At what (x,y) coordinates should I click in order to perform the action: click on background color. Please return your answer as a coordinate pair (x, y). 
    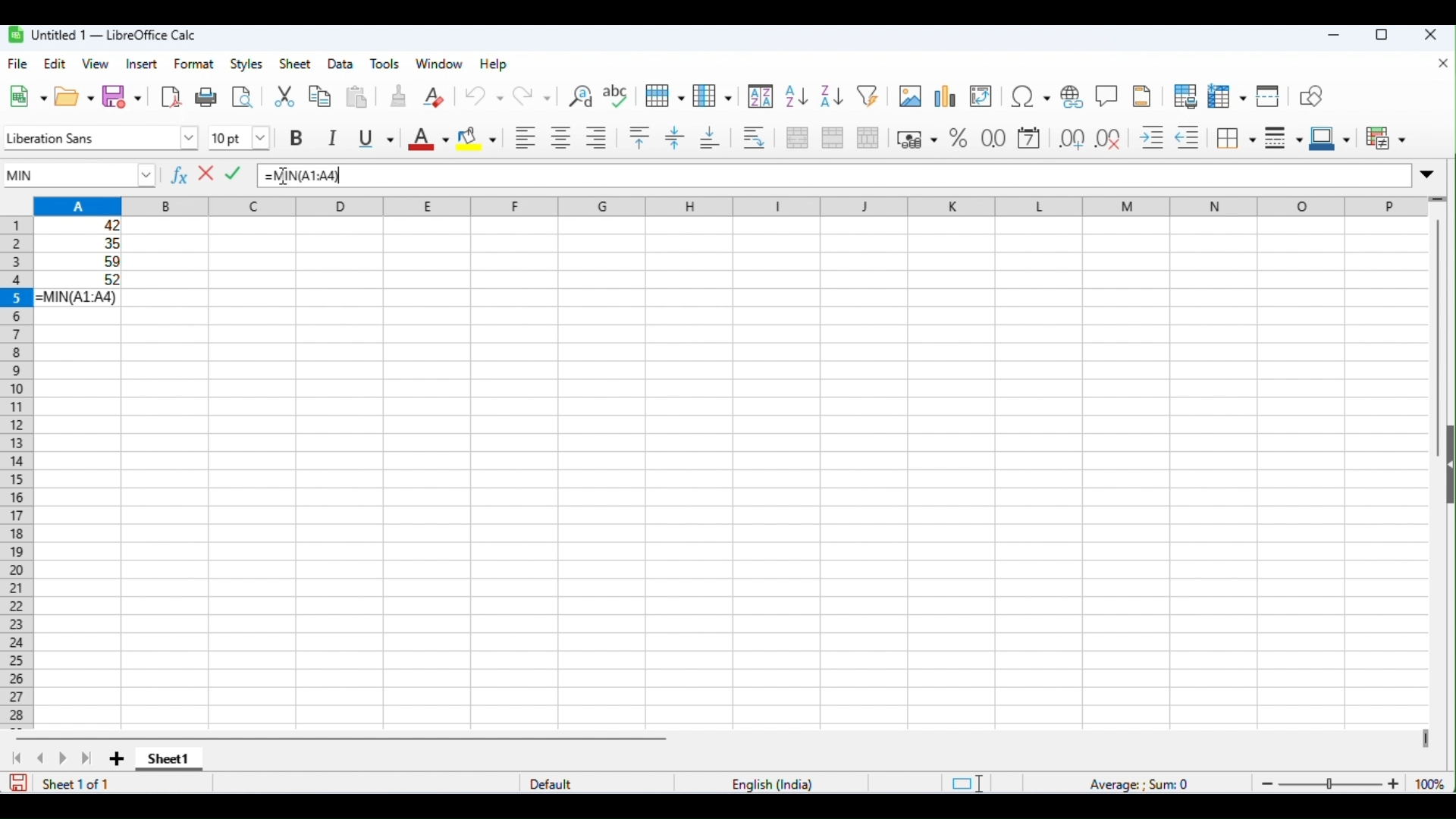
    Looking at the image, I should click on (477, 138).